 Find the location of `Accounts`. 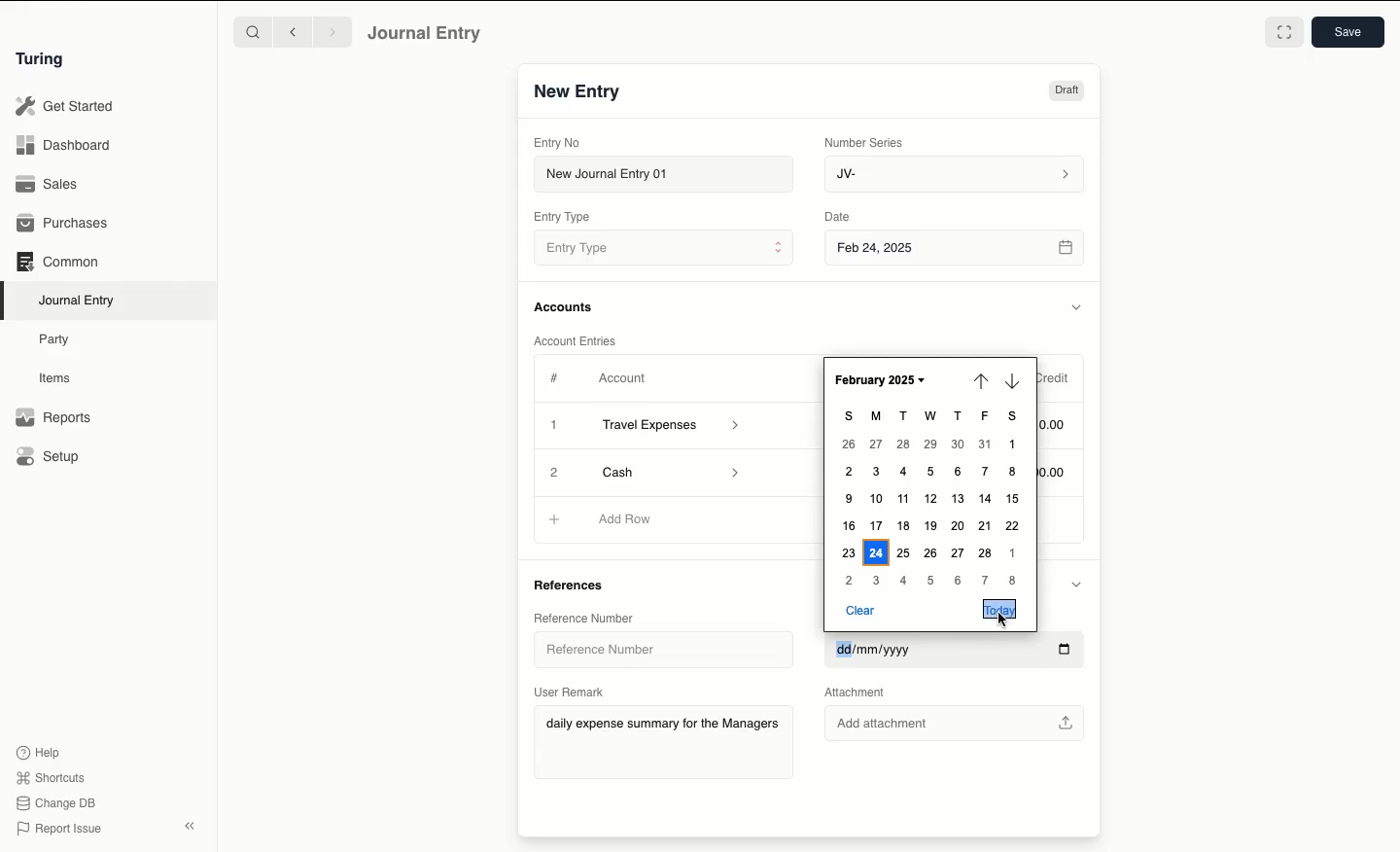

Accounts is located at coordinates (565, 307).